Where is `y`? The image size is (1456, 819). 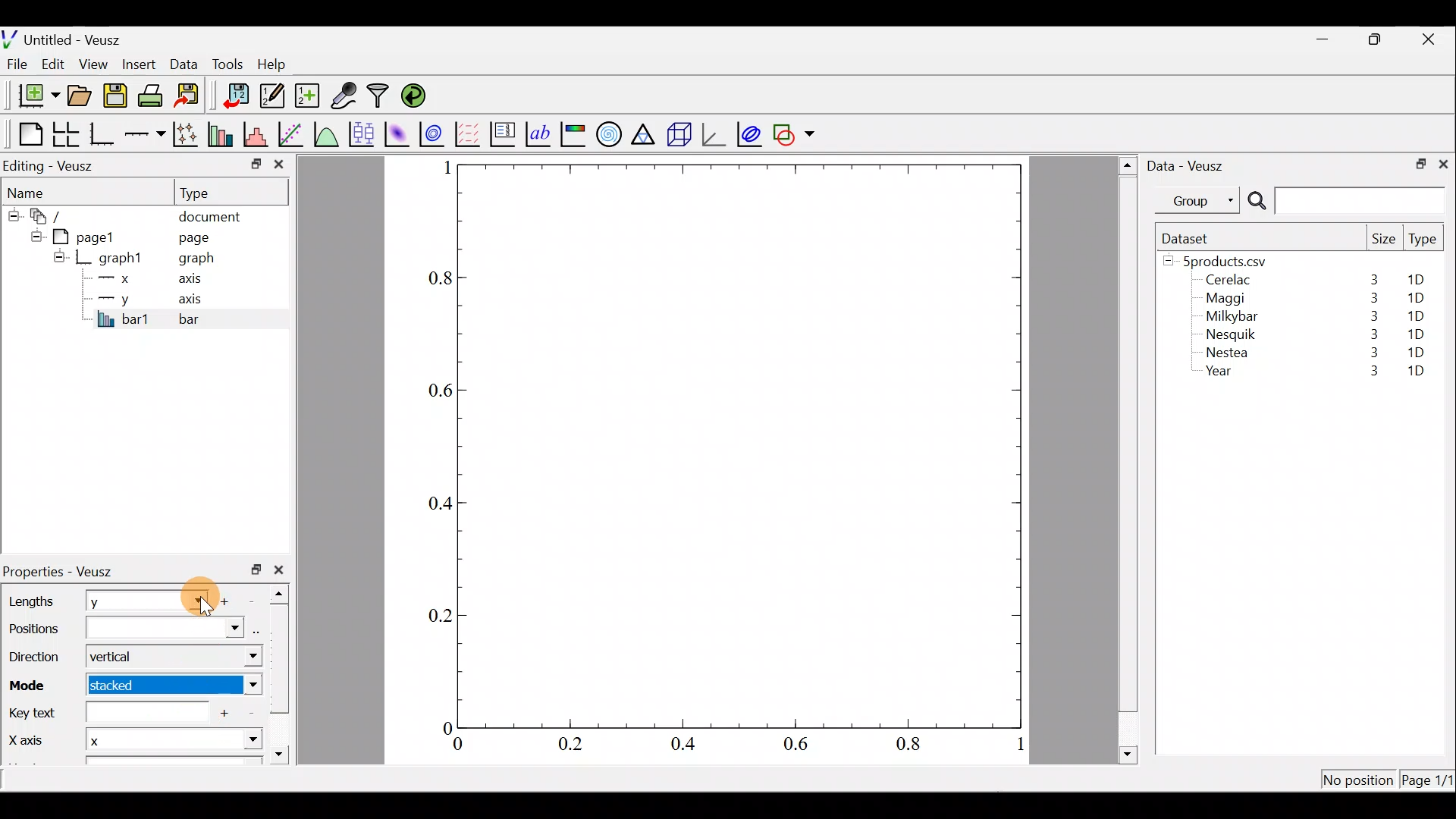
y is located at coordinates (114, 297).